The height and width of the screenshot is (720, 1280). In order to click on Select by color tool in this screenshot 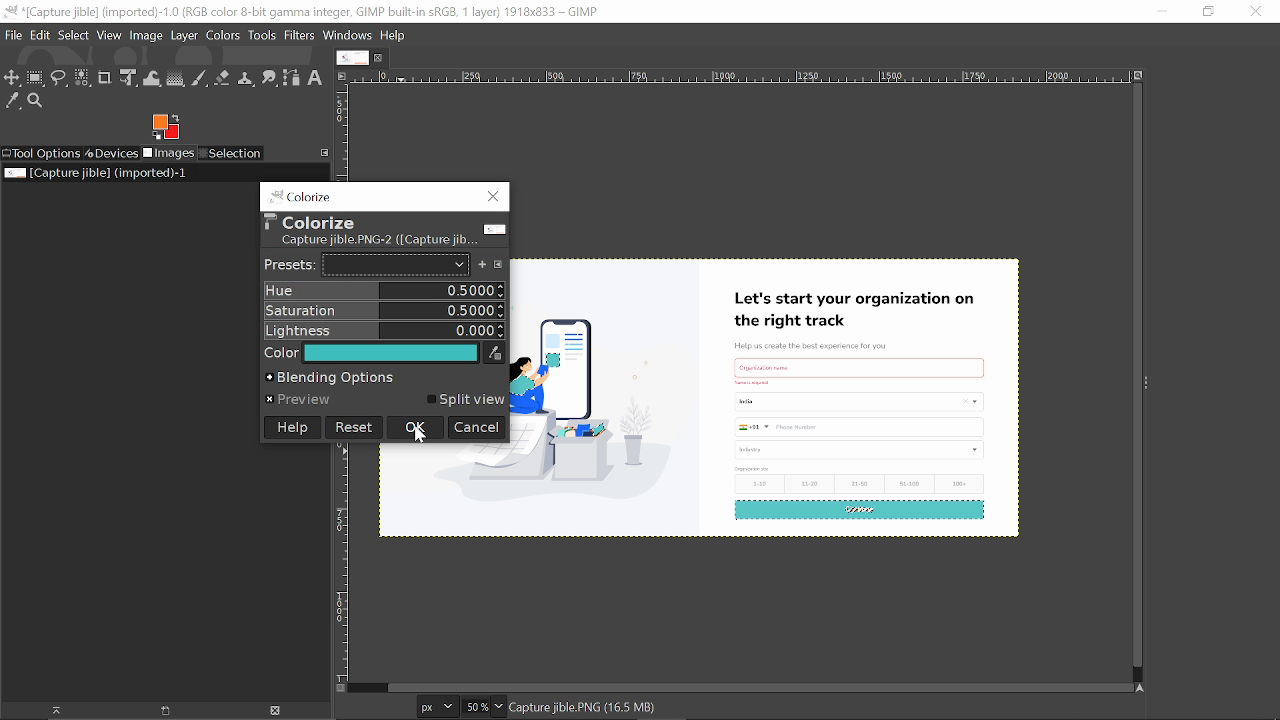, I will do `click(81, 77)`.